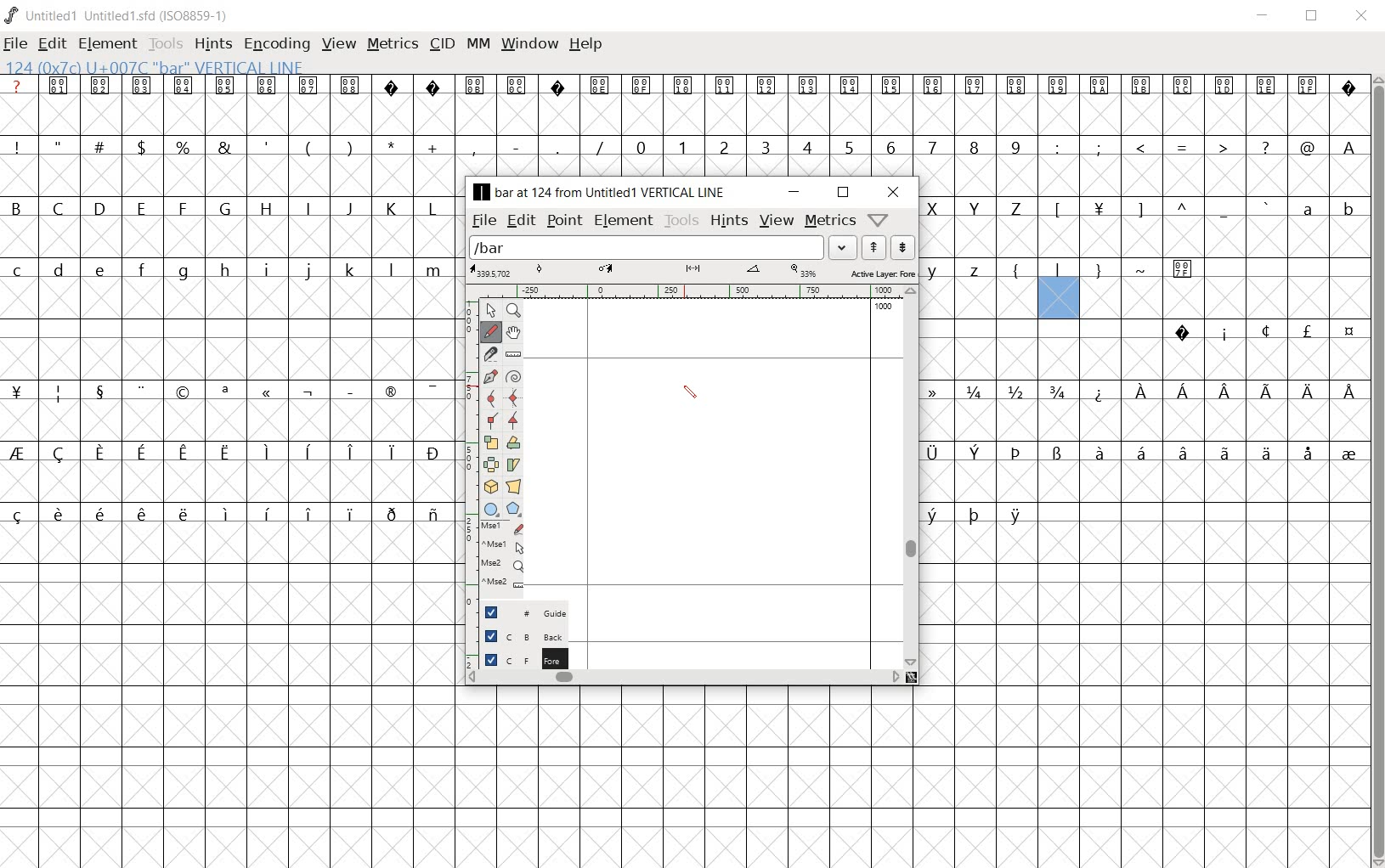 Image resolution: width=1385 pixels, height=868 pixels. Describe the element at coordinates (229, 177) in the screenshot. I see `empty cells` at that location.